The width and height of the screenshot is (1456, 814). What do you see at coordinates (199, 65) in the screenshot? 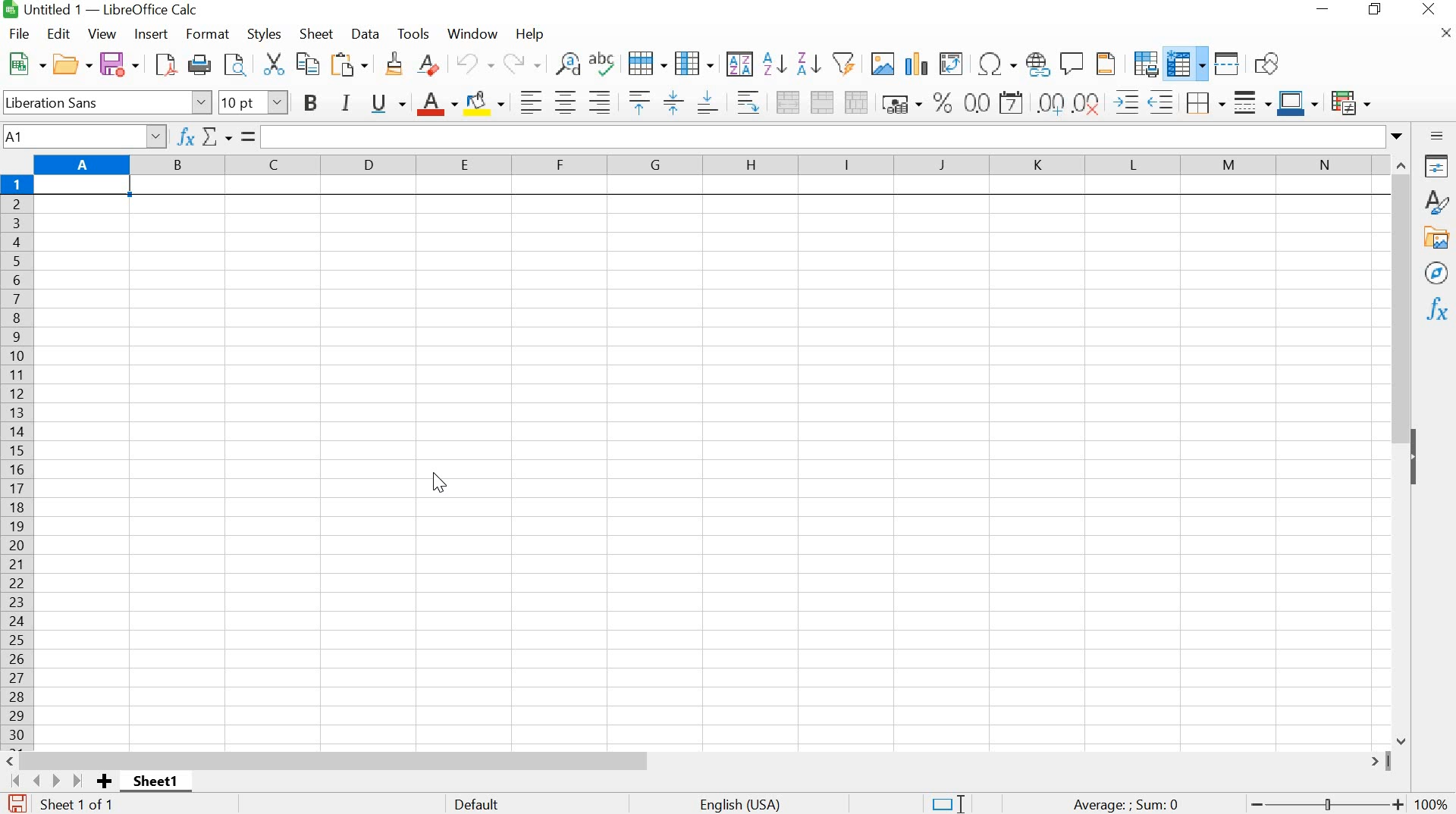
I see `PRINT` at bounding box center [199, 65].